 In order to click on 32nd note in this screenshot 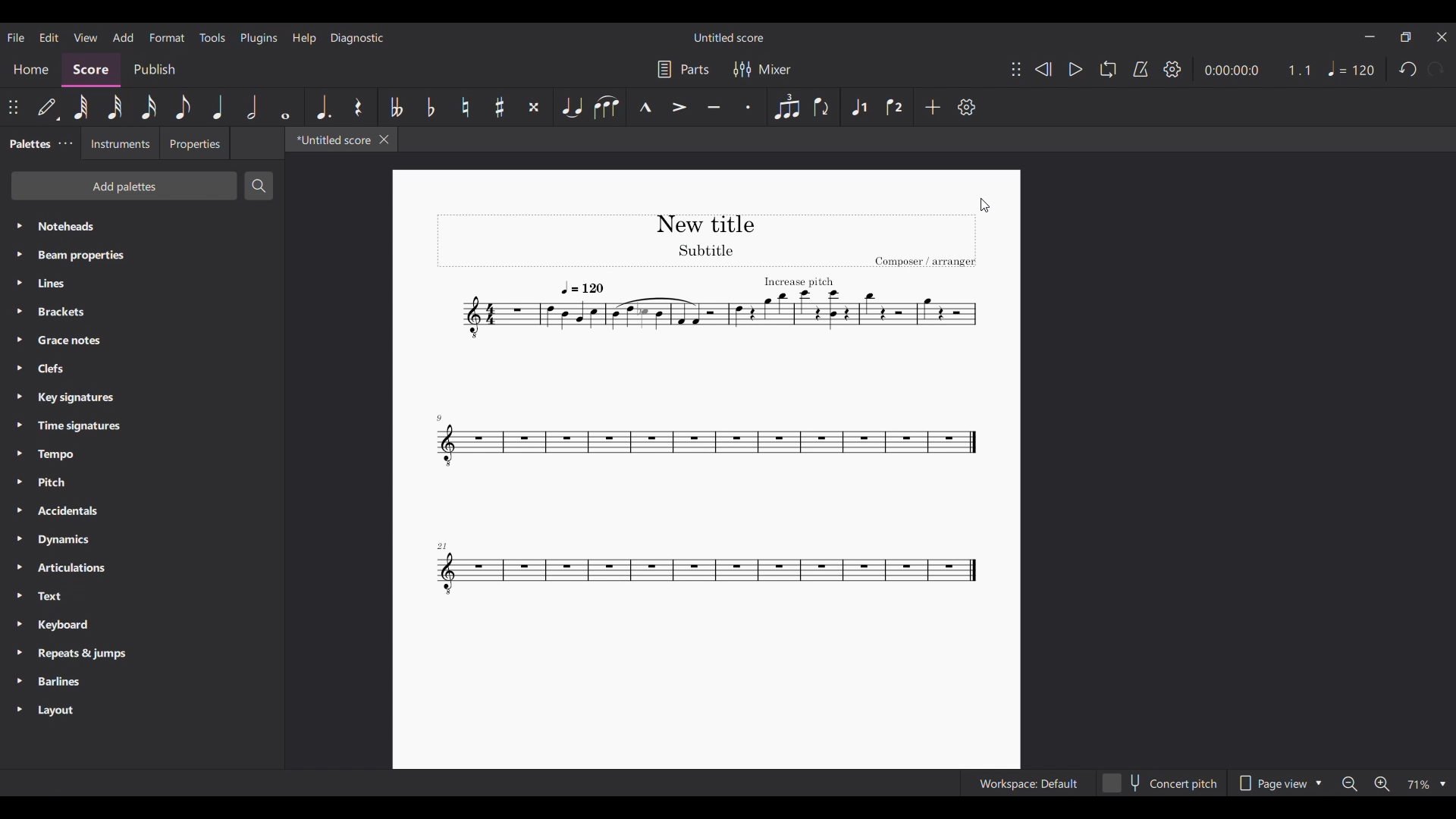, I will do `click(115, 108)`.